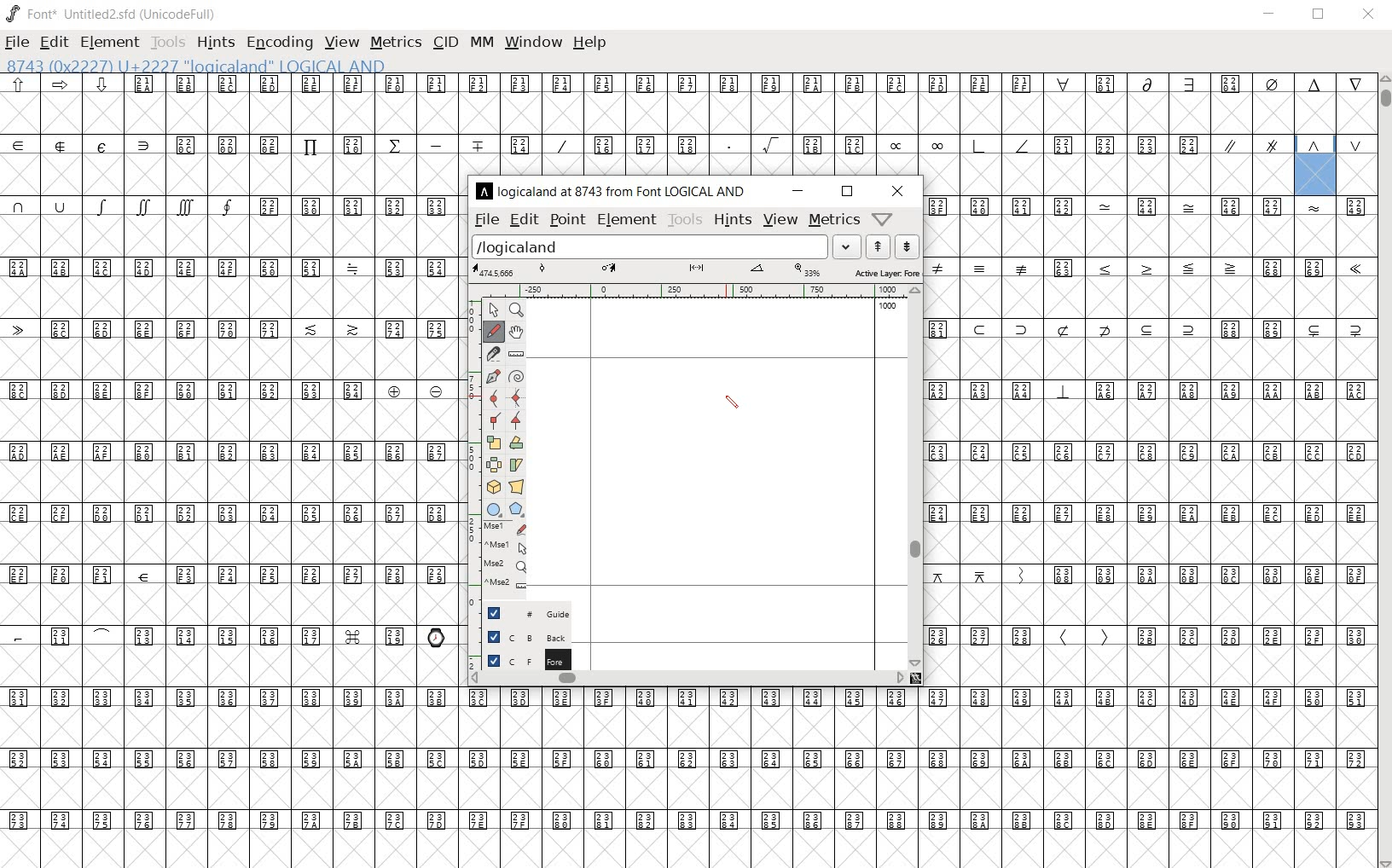  What do you see at coordinates (493, 420) in the screenshot?
I see `Add a corner point` at bounding box center [493, 420].